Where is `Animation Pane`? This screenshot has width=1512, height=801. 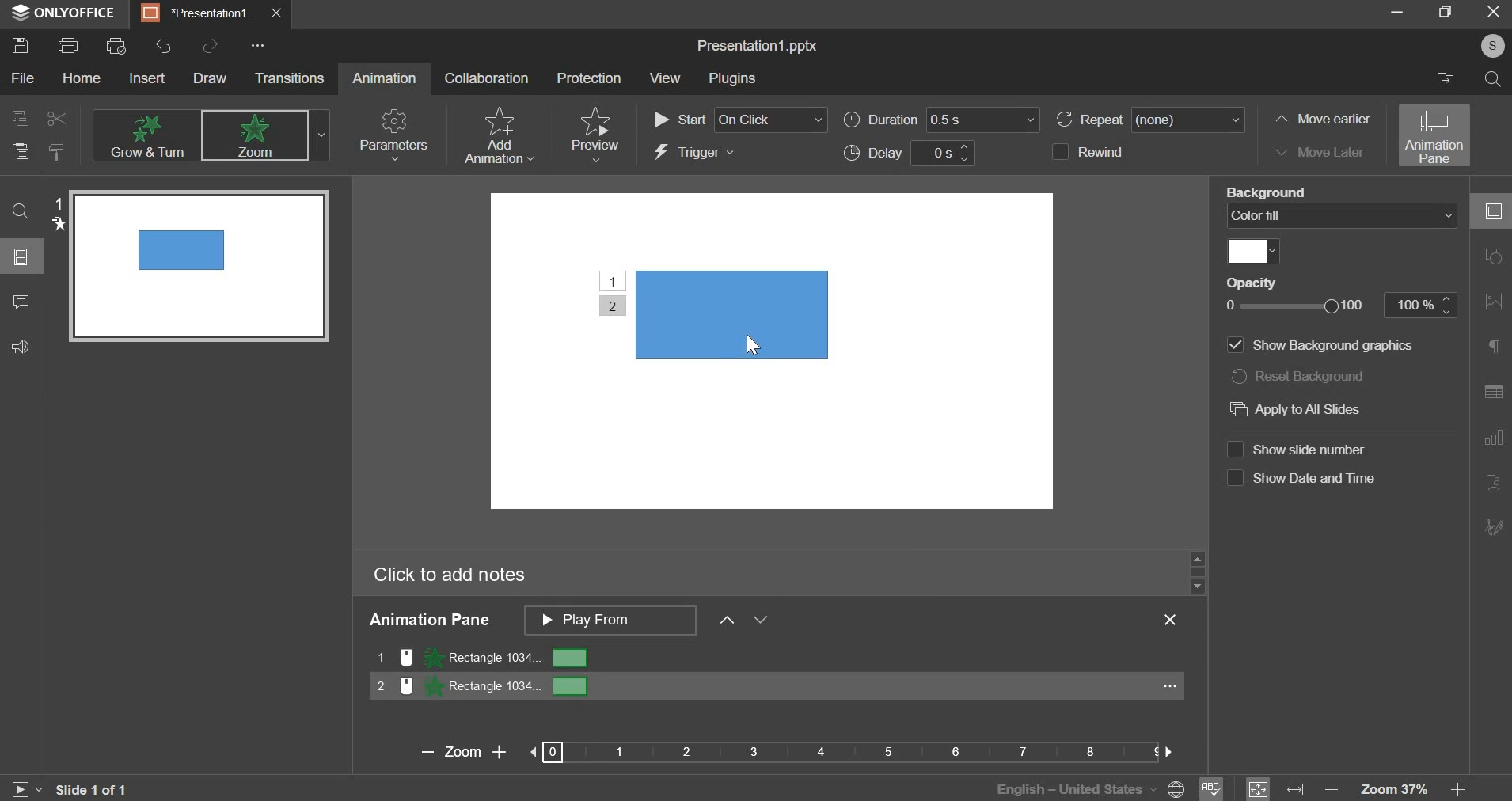
Animation Pane is located at coordinates (1492, 386).